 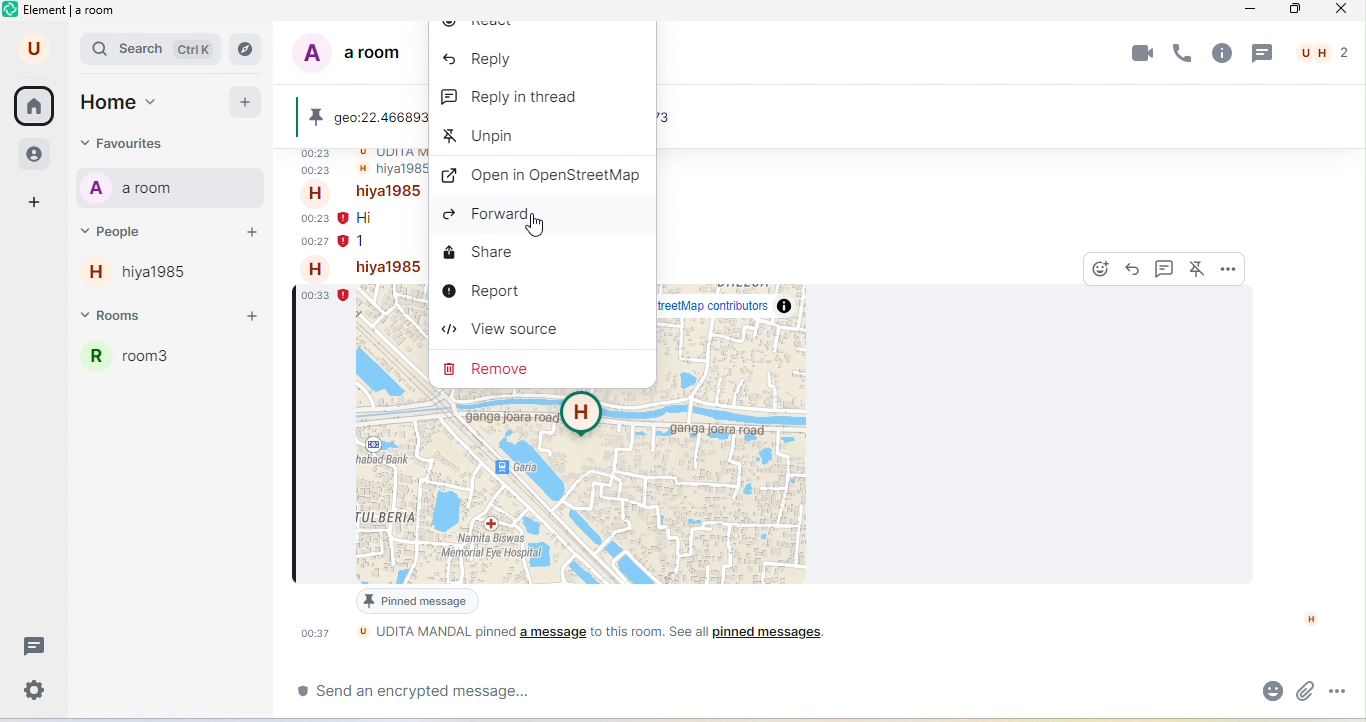 What do you see at coordinates (1103, 268) in the screenshot?
I see `react` at bounding box center [1103, 268].